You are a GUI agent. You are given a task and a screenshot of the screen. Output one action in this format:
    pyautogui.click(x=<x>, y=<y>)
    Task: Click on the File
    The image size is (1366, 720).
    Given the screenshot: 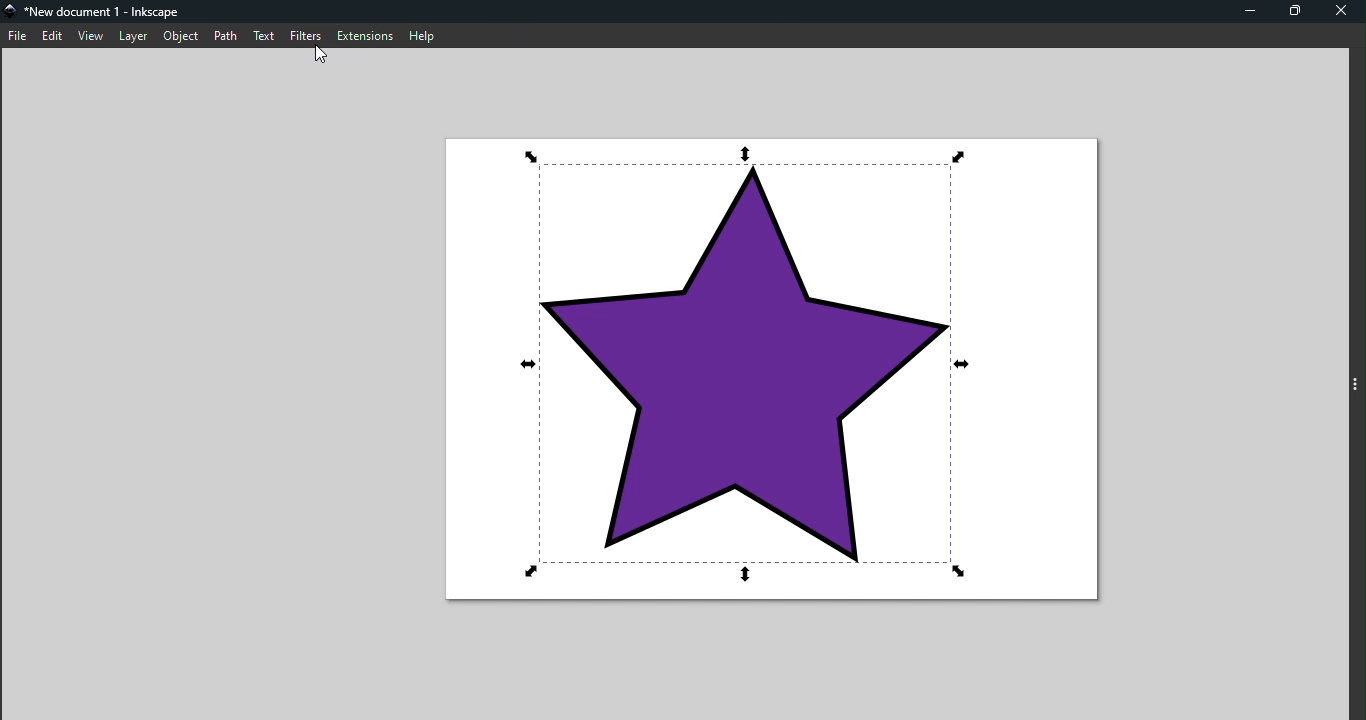 What is the action you would take?
    pyautogui.click(x=18, y=35)
    